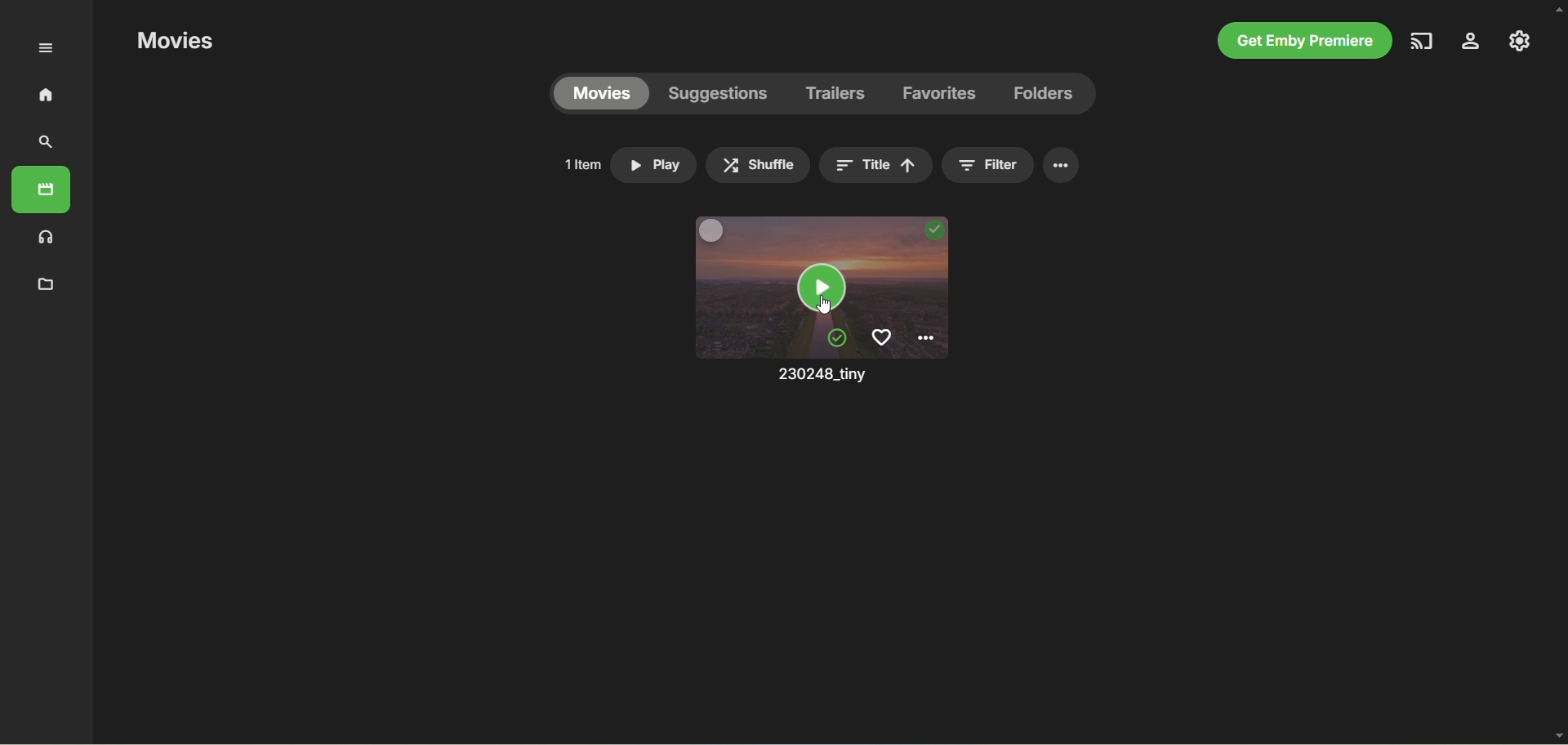 This screenshot has height=745, width=1568. What do you see at coordinates (826, 309) in the screenshot?
I see `cursor` at bounding box center [826, 309].